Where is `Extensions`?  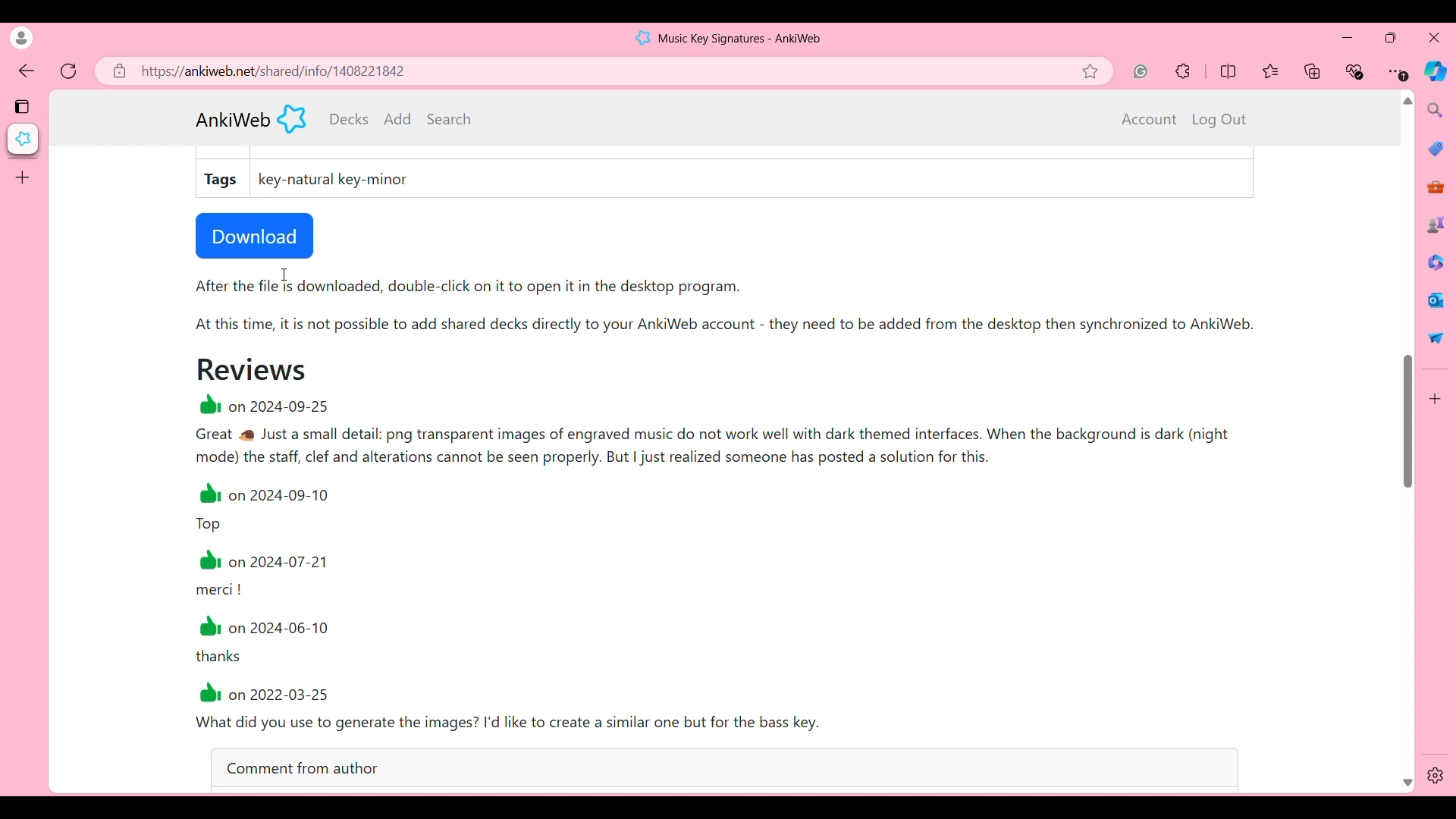 Extensions is located at coordinates (1183, 71).